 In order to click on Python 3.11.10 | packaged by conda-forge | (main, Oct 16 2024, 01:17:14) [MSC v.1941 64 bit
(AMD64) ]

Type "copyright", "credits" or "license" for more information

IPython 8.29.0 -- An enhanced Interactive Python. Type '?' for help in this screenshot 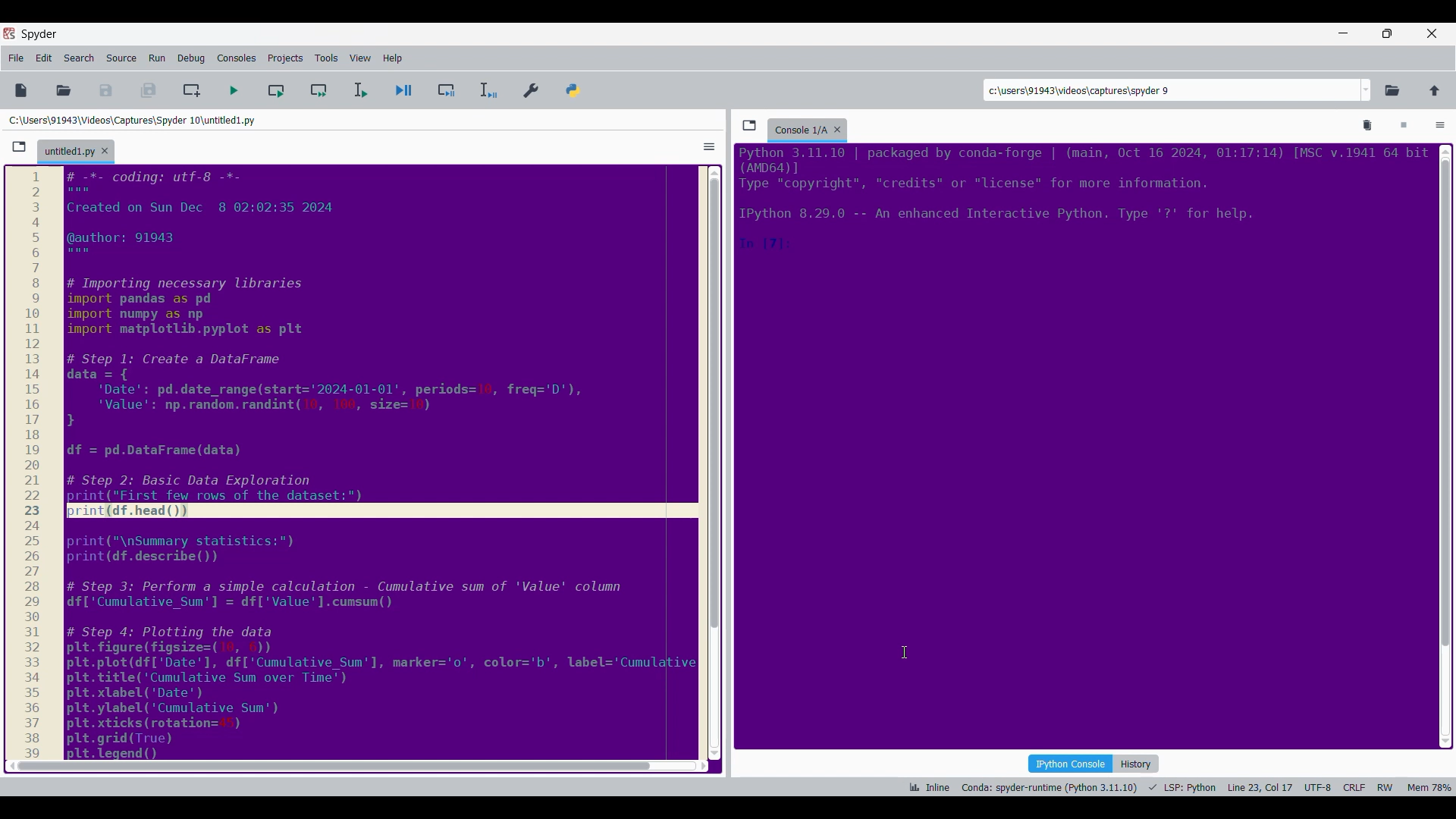, I will do `click(1084, 202)`.